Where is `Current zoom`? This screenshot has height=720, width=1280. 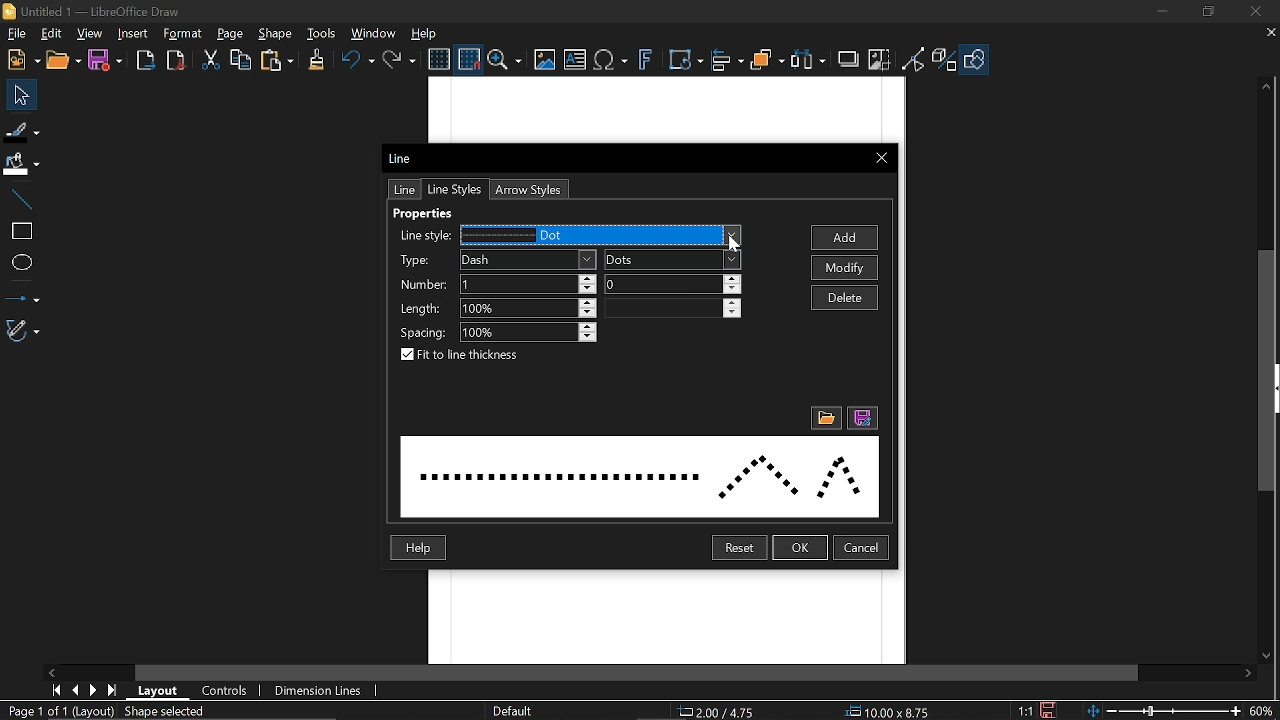
Current zoom is located at coordinates (1263, 710).